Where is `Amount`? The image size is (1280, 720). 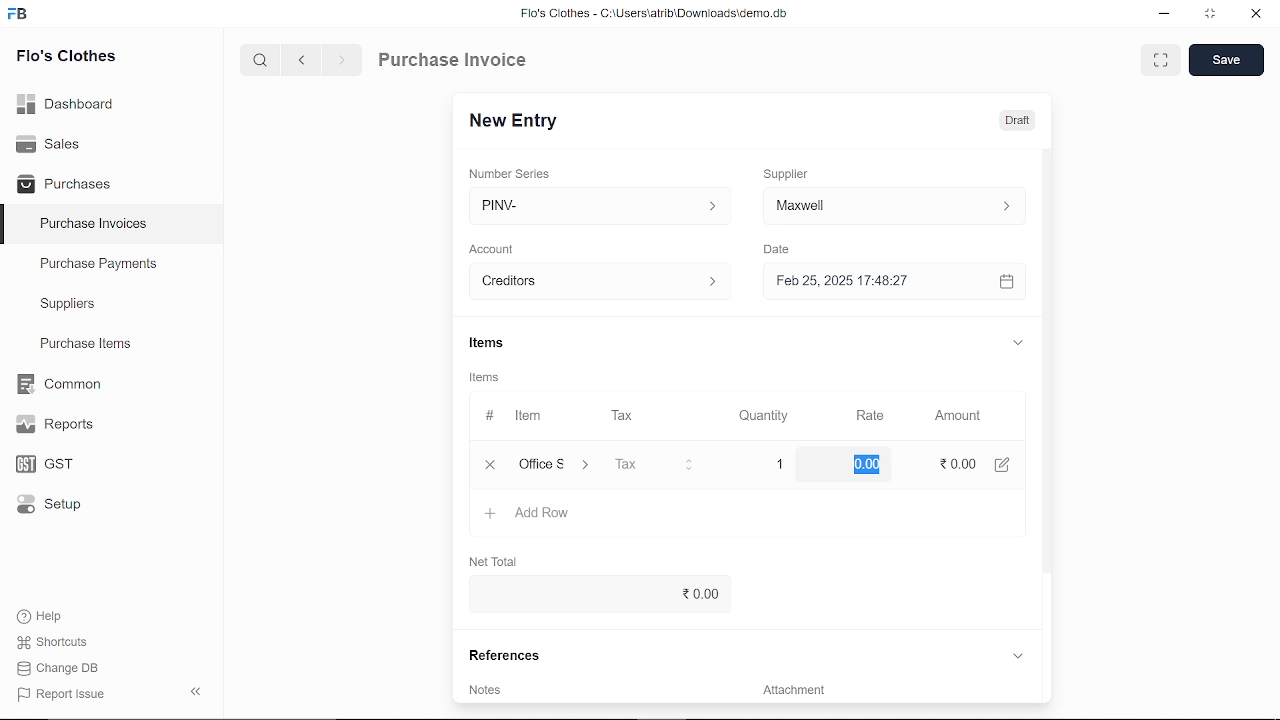 Amount is located at coordinates (956, 414).